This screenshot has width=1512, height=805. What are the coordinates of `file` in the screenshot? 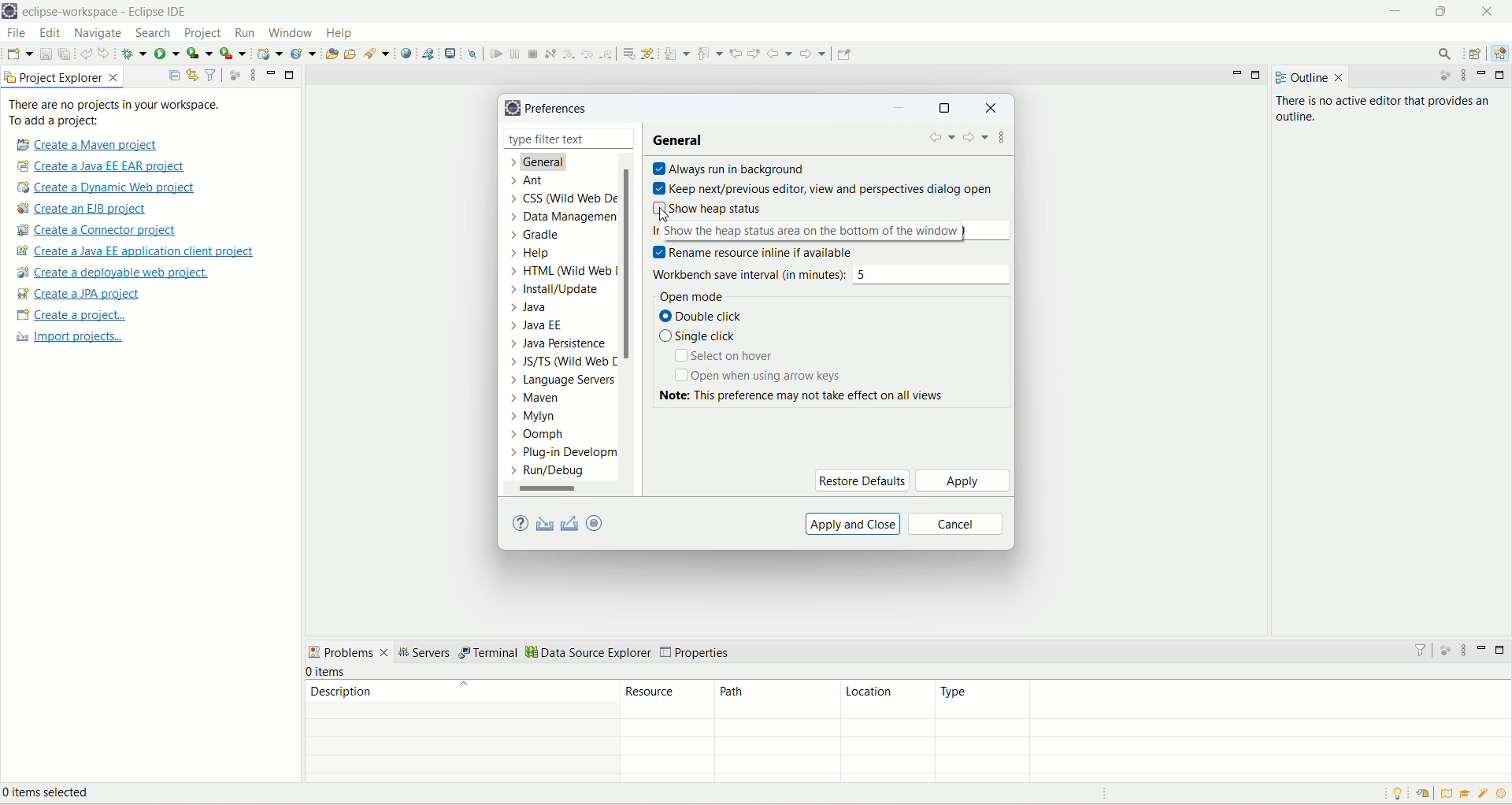 It's located at (16, 32).